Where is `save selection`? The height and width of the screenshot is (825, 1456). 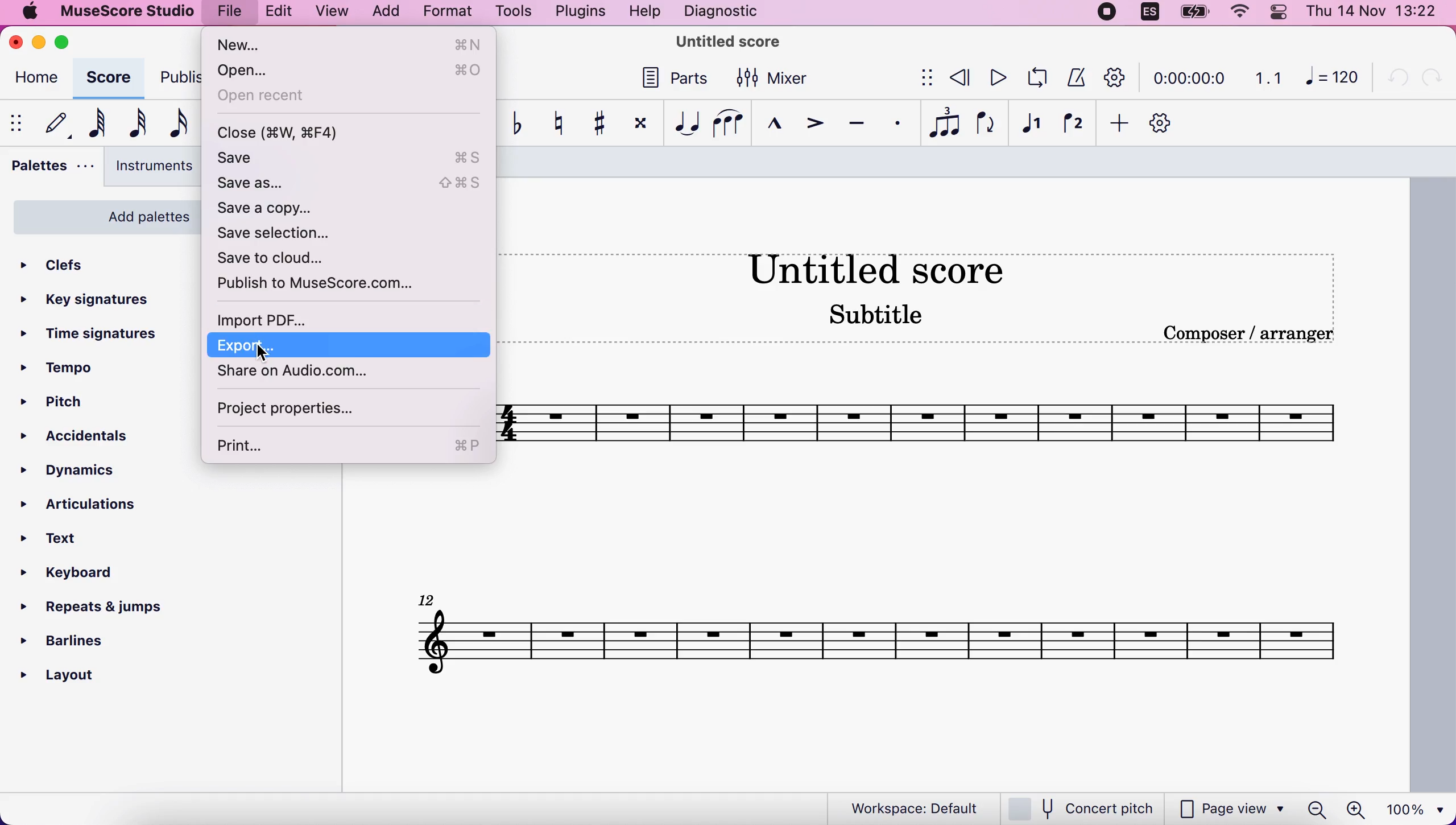 save selection is located at coordinates (292, 234).